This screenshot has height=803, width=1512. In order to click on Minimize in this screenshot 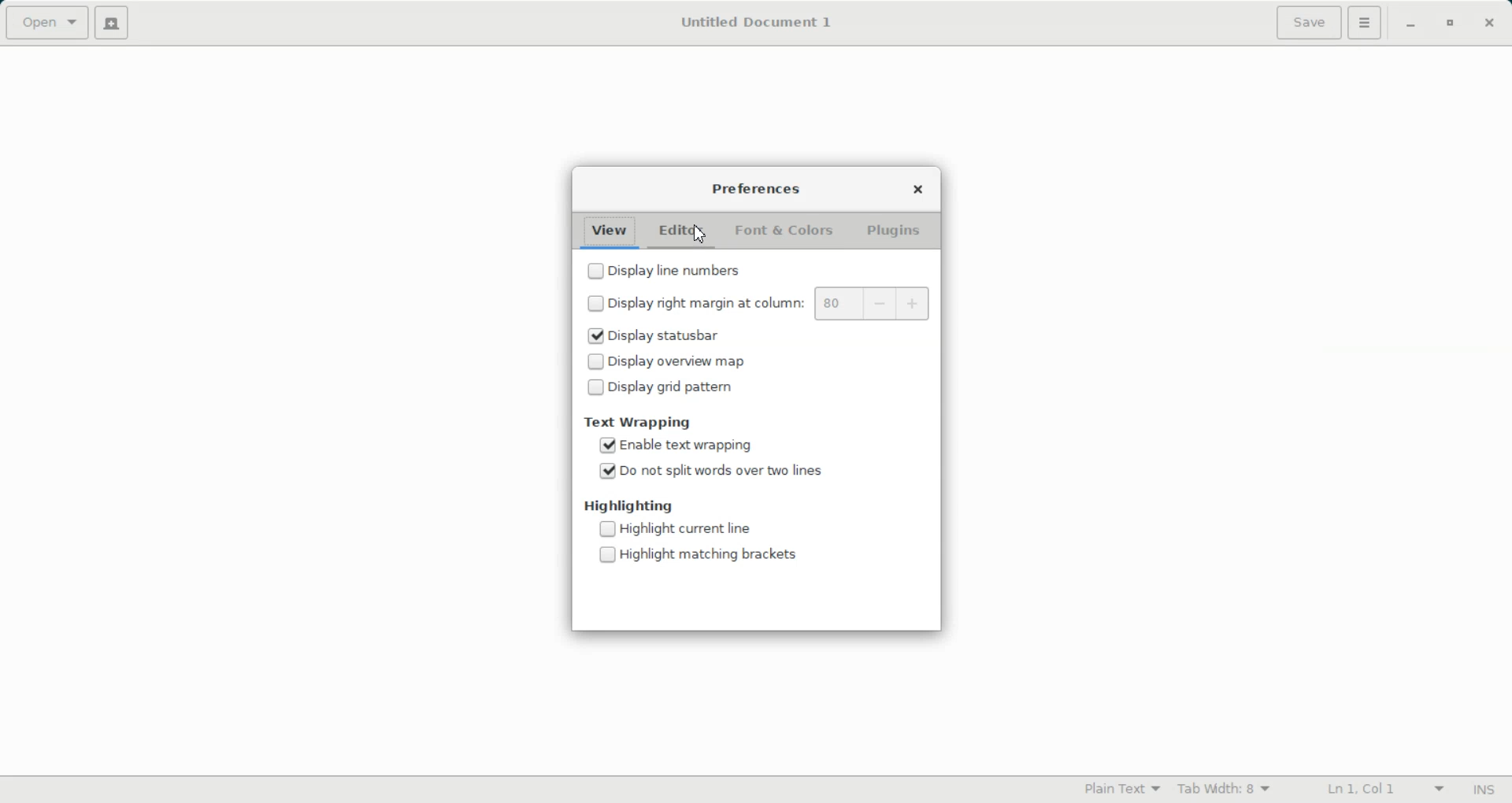, I will do `click(1411, 24)`.